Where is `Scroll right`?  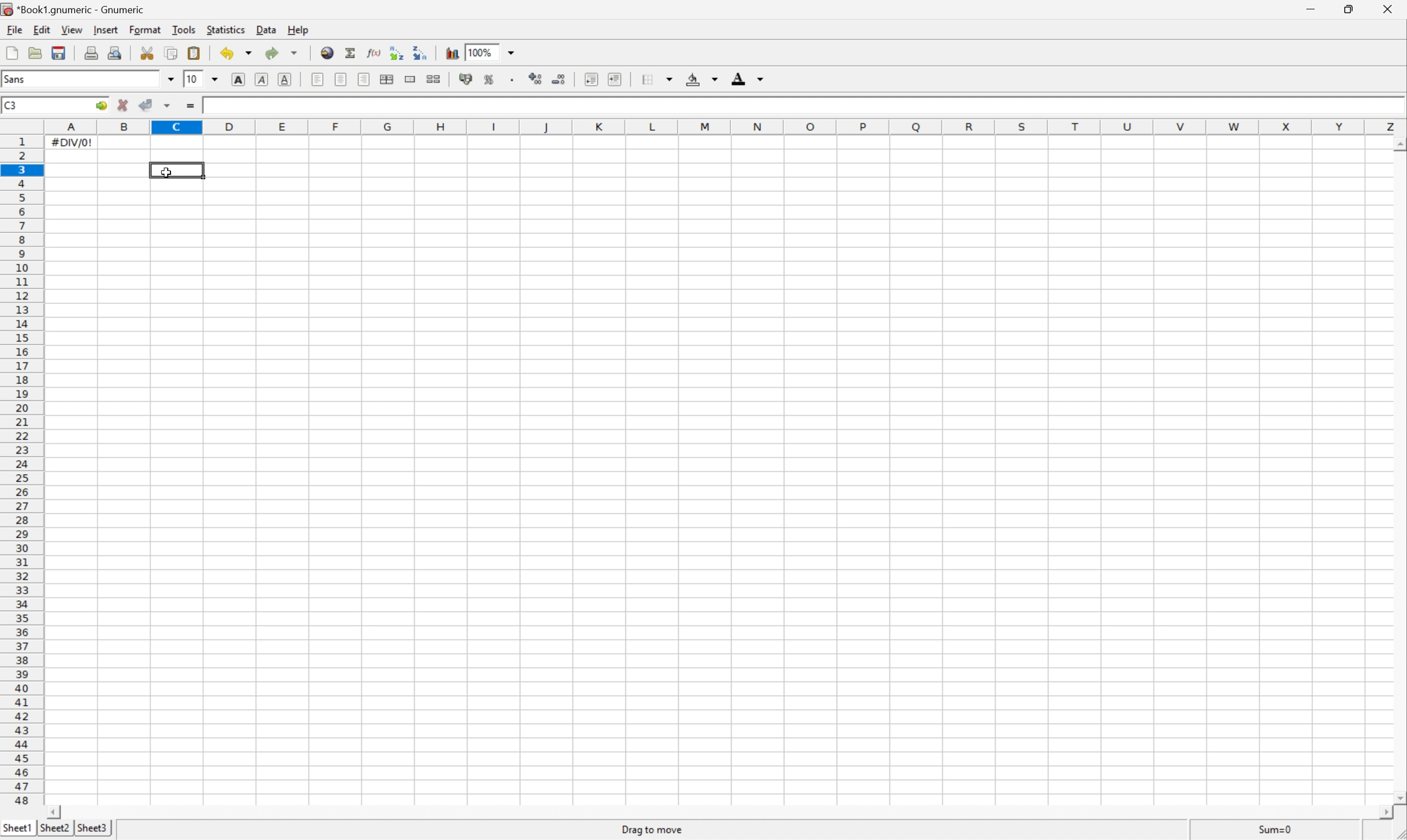
Scroll right is located at coordinates (1375, 813).